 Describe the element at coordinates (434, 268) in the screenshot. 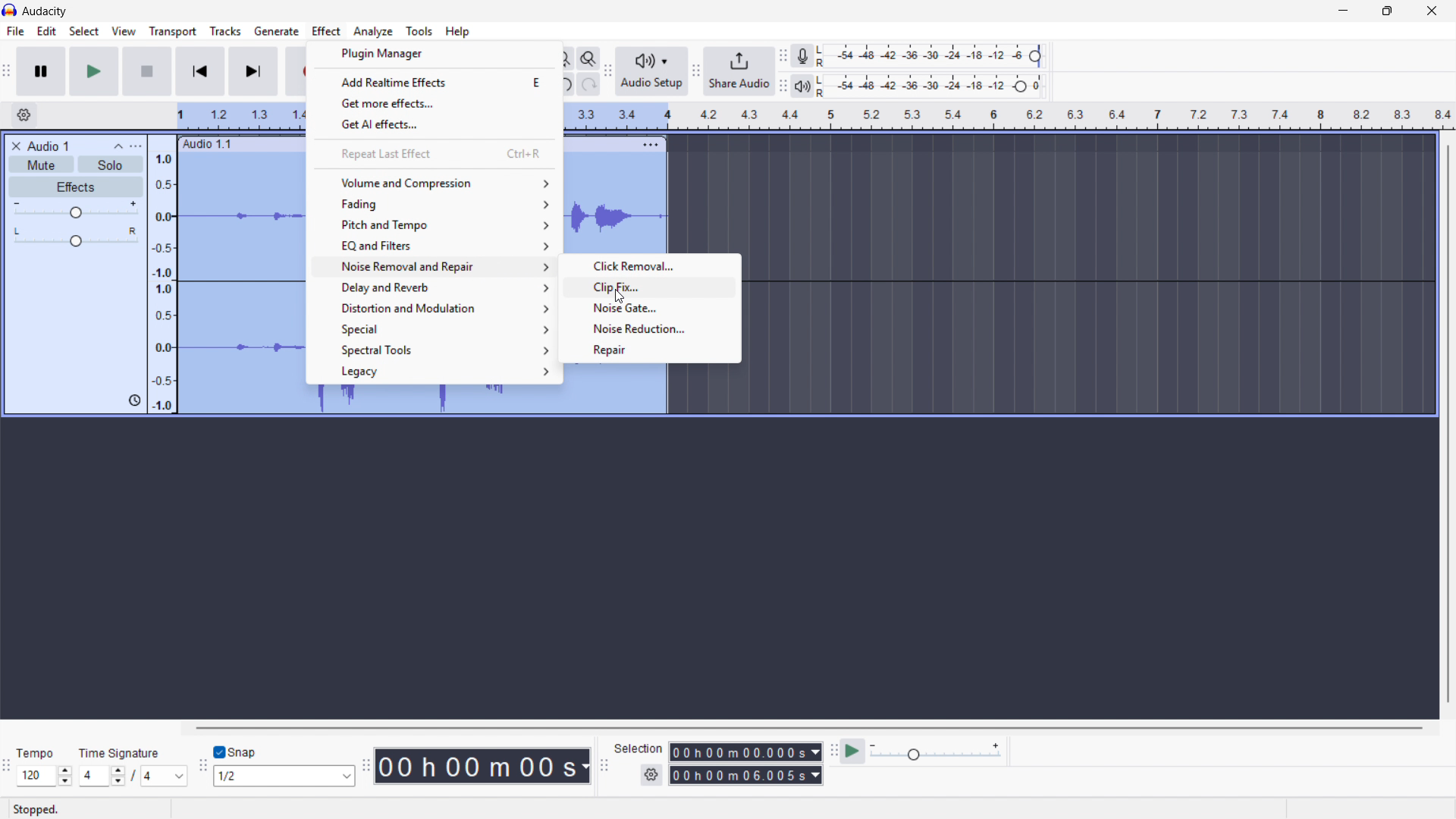

I see `Noise removal and repair ` at that location.